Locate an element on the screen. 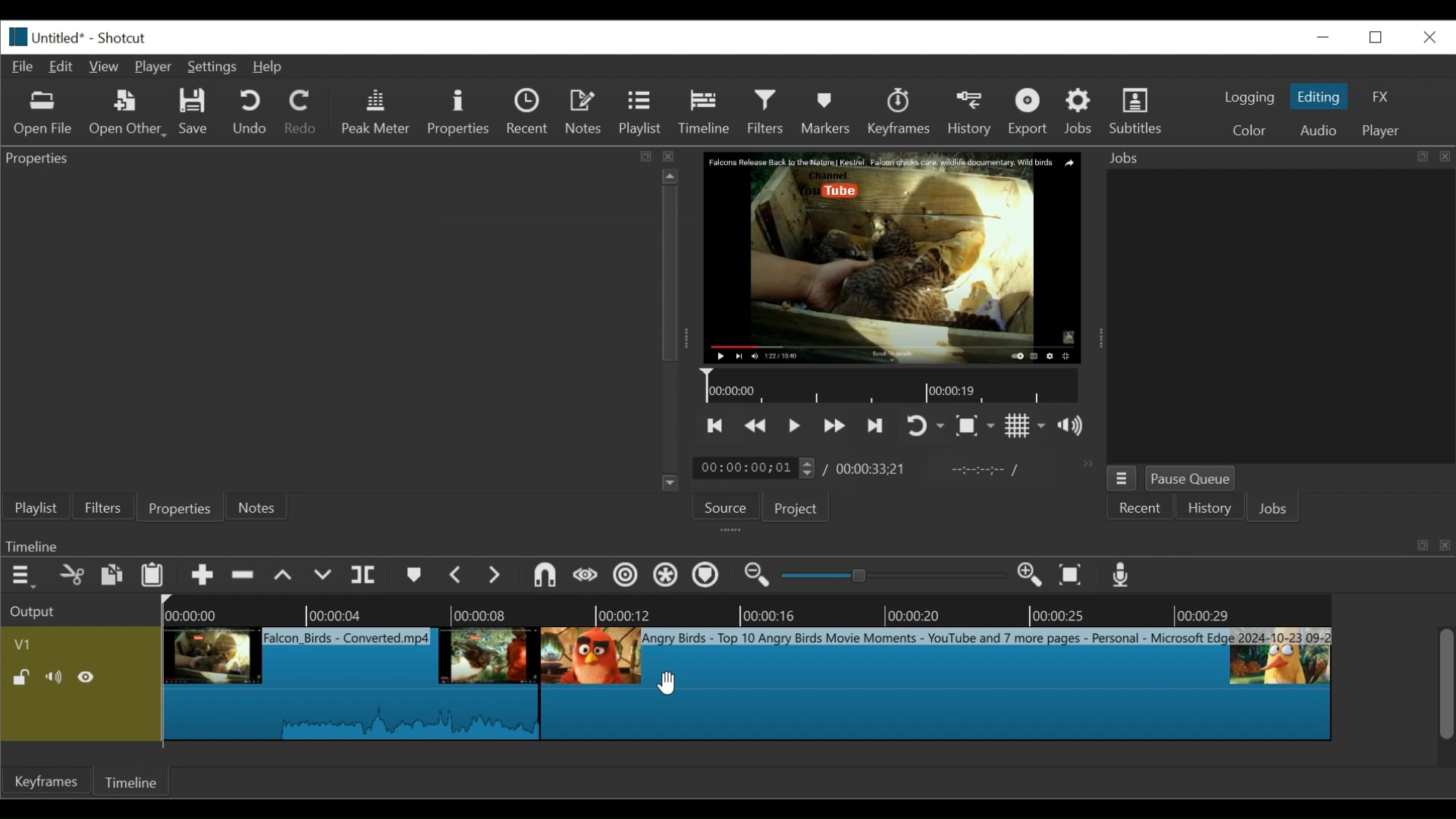 This screenshot has width=1456, height=819. Clip is located at coordinates (935, 683).